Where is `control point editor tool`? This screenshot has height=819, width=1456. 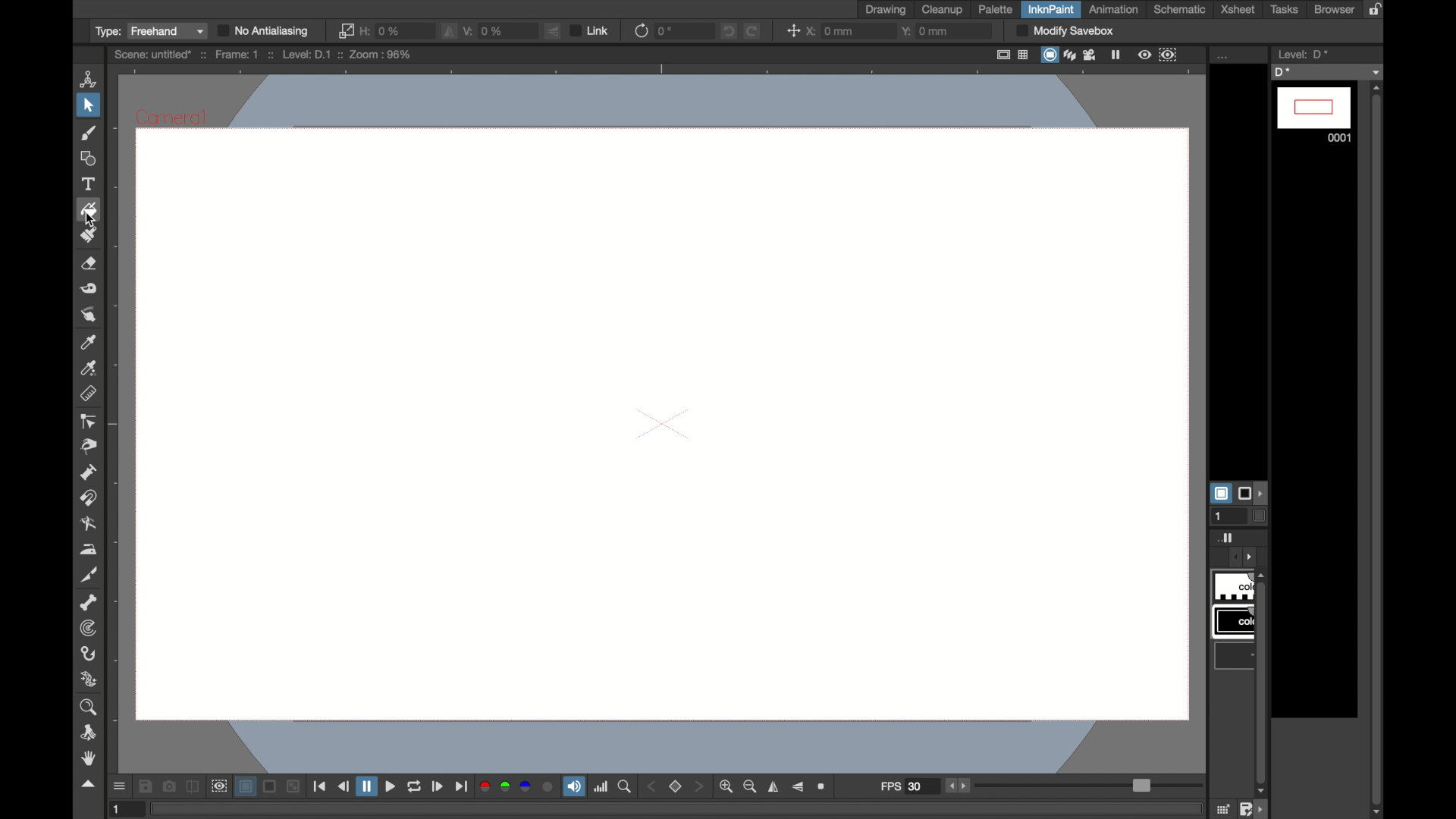 control point editor tool is located at coordinates (87, 421).